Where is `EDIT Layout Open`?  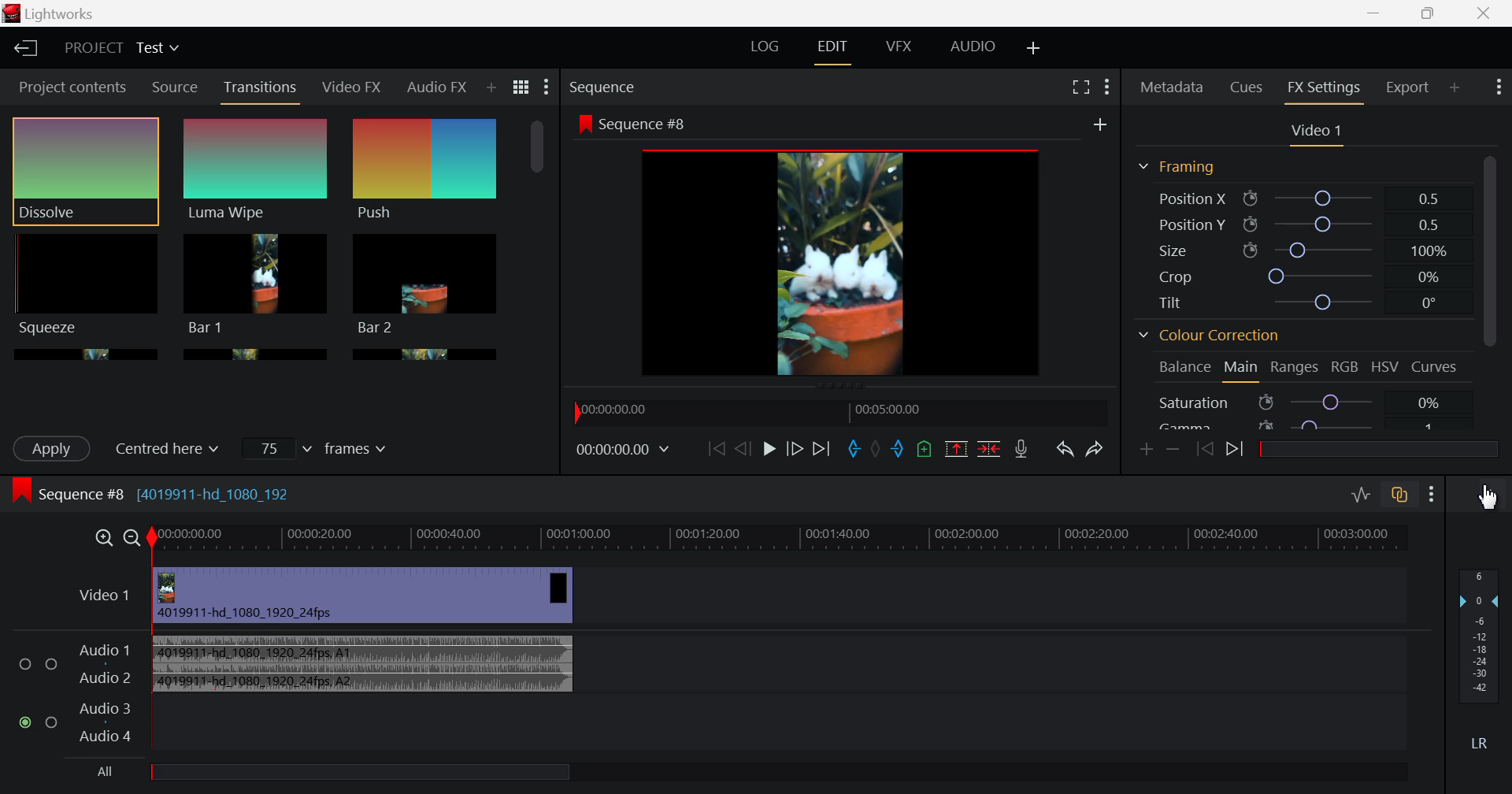
EDIT Layout Open is located at coordinates (831, 50).